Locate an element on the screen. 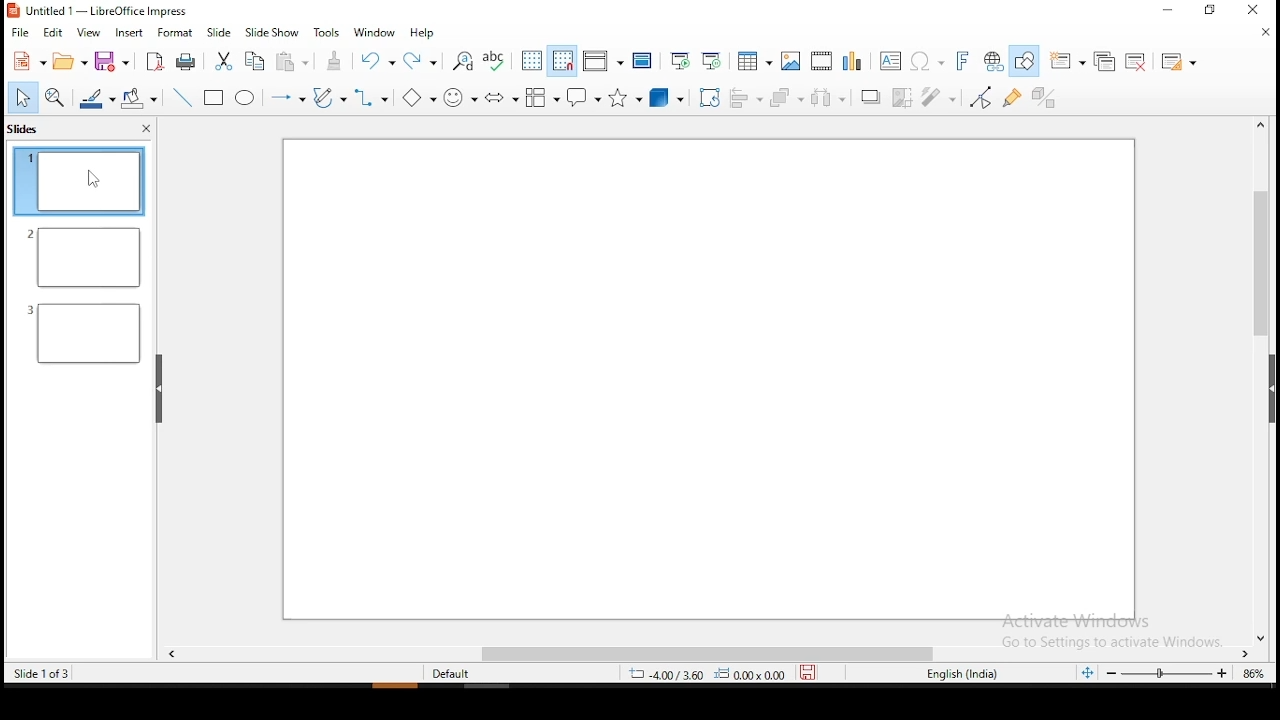  line color is located at coordinates (96, 99).